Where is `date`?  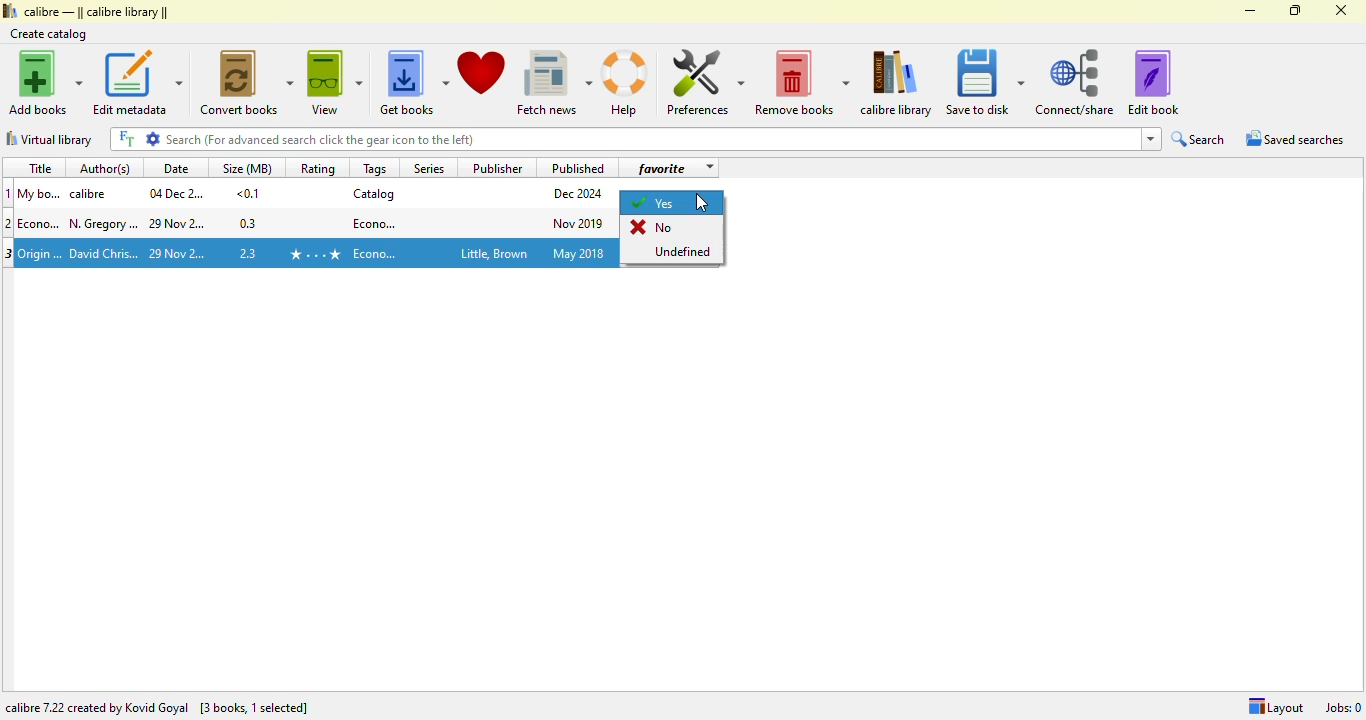
date is located at coordinates (176, 193).